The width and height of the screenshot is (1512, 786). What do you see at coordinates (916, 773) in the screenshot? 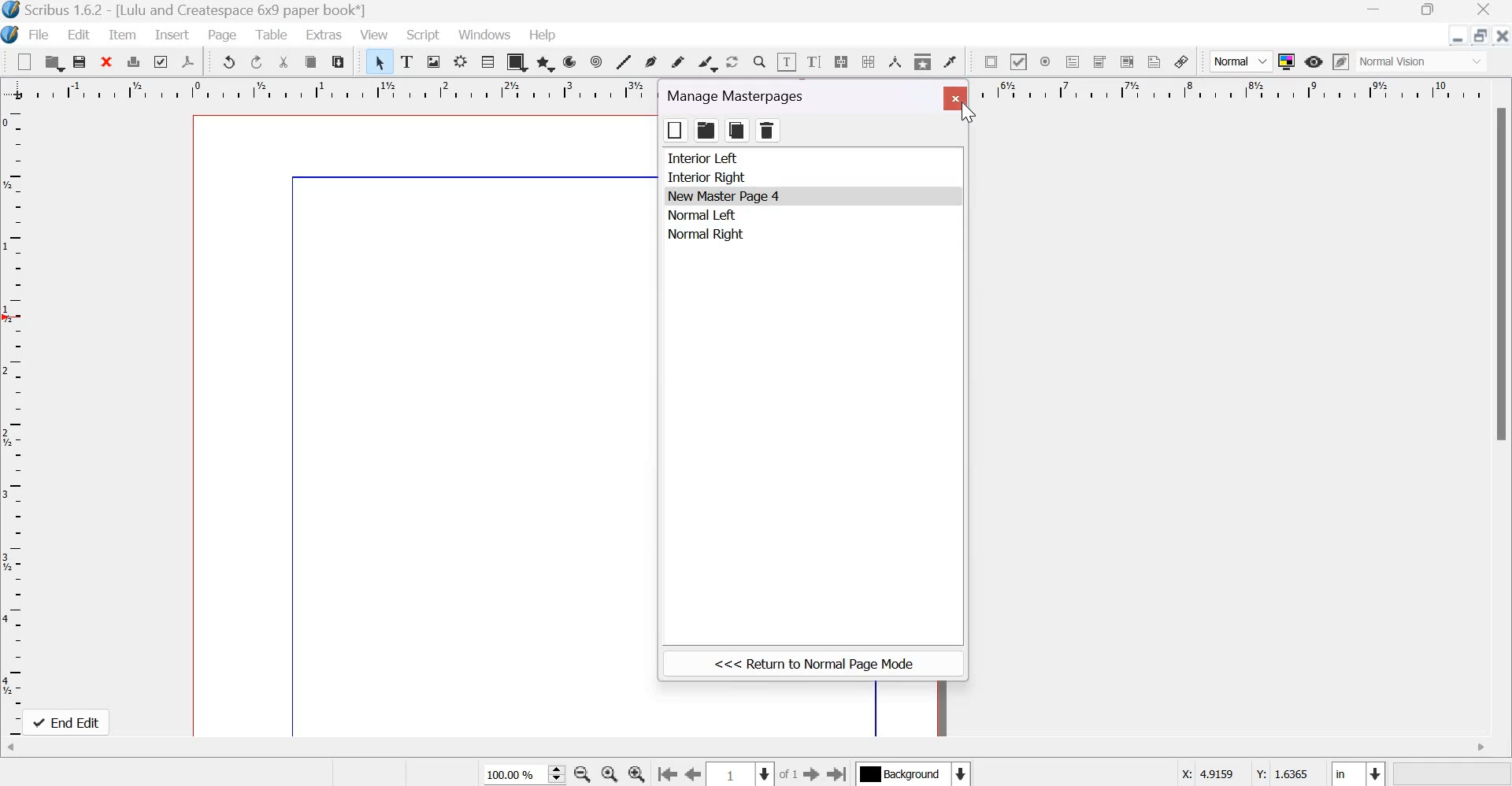
I see `Select the current layer` at bounding box center [916, 773].